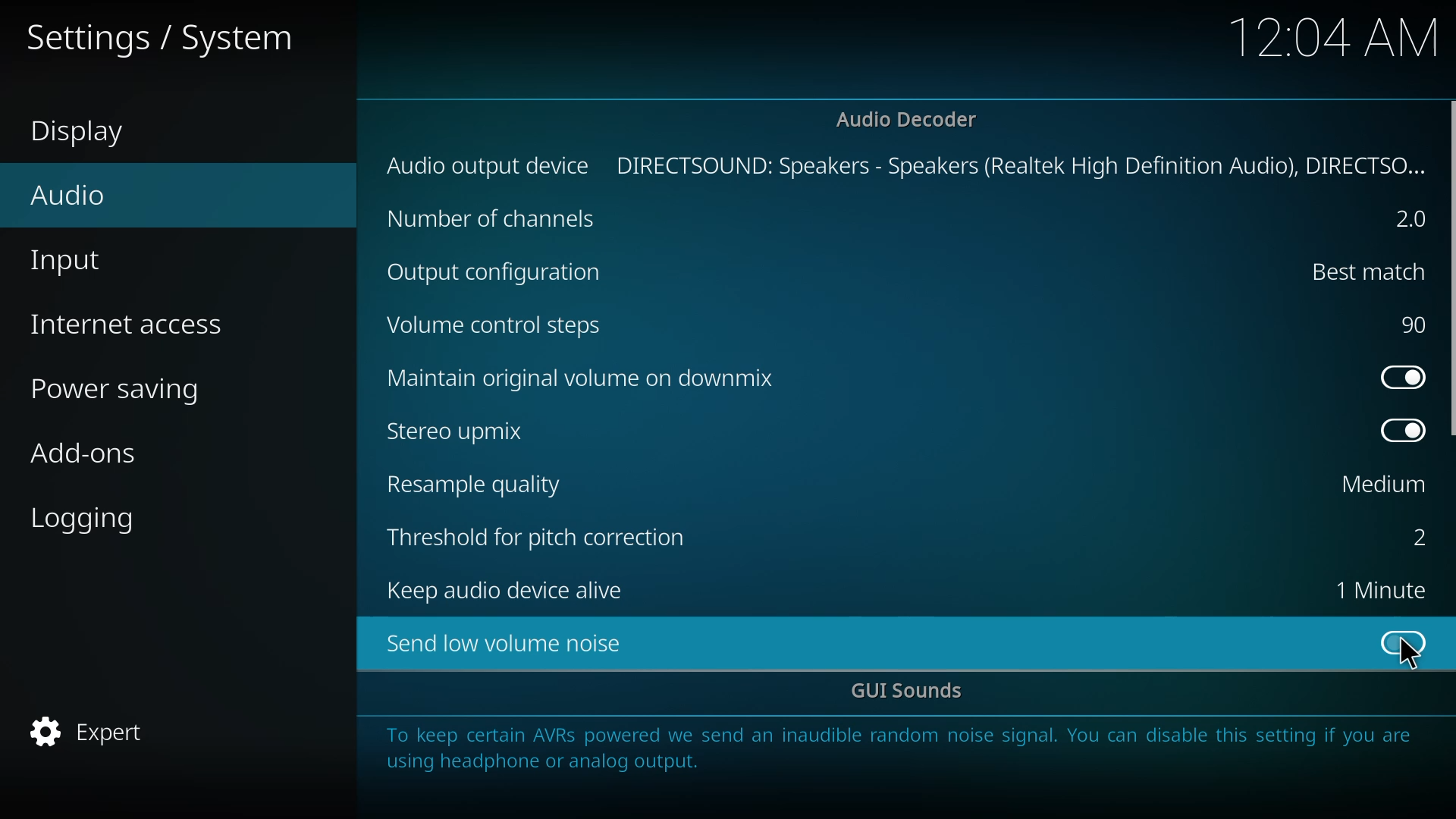 The width and height of the screenshot is (1456, 819). I want to click on directsound, so click(1025, 163).